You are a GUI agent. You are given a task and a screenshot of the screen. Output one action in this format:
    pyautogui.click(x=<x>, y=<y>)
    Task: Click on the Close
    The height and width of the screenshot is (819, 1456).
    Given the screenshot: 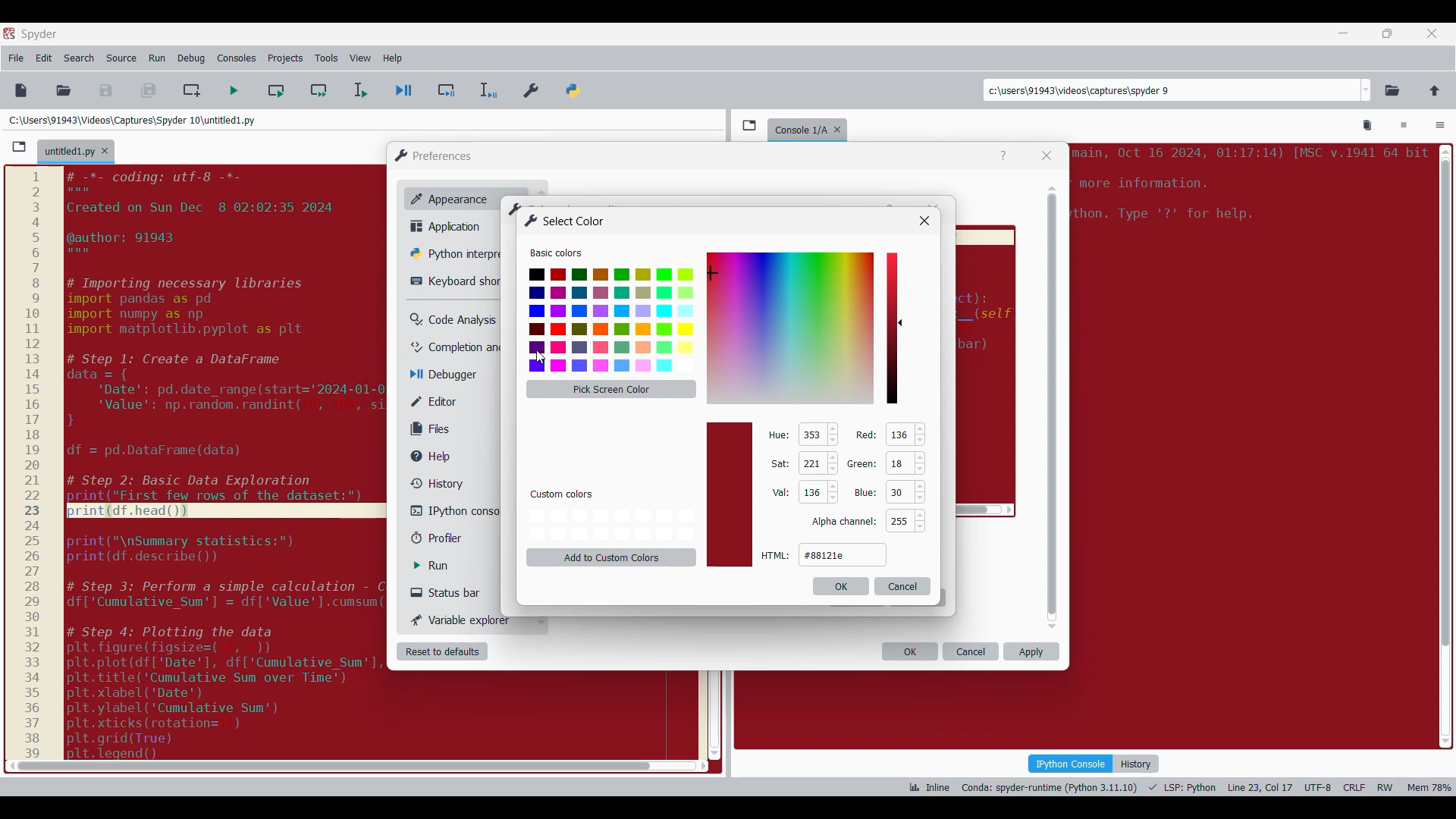 What is the action you would take?
    pyautogui.click(x=1046, y=155)
    